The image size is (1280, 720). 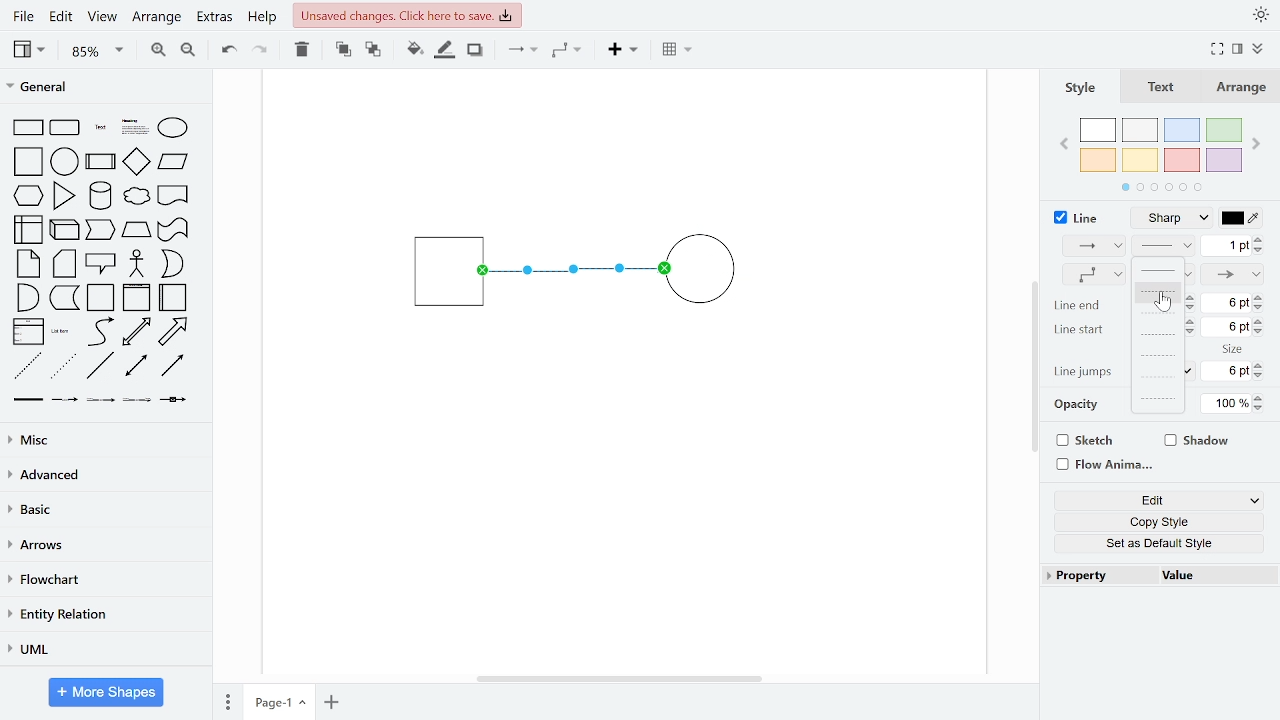 What do you see at coordinates (66, 228) in the screenshot?
I see `cube` at bounding box center [66, 228].